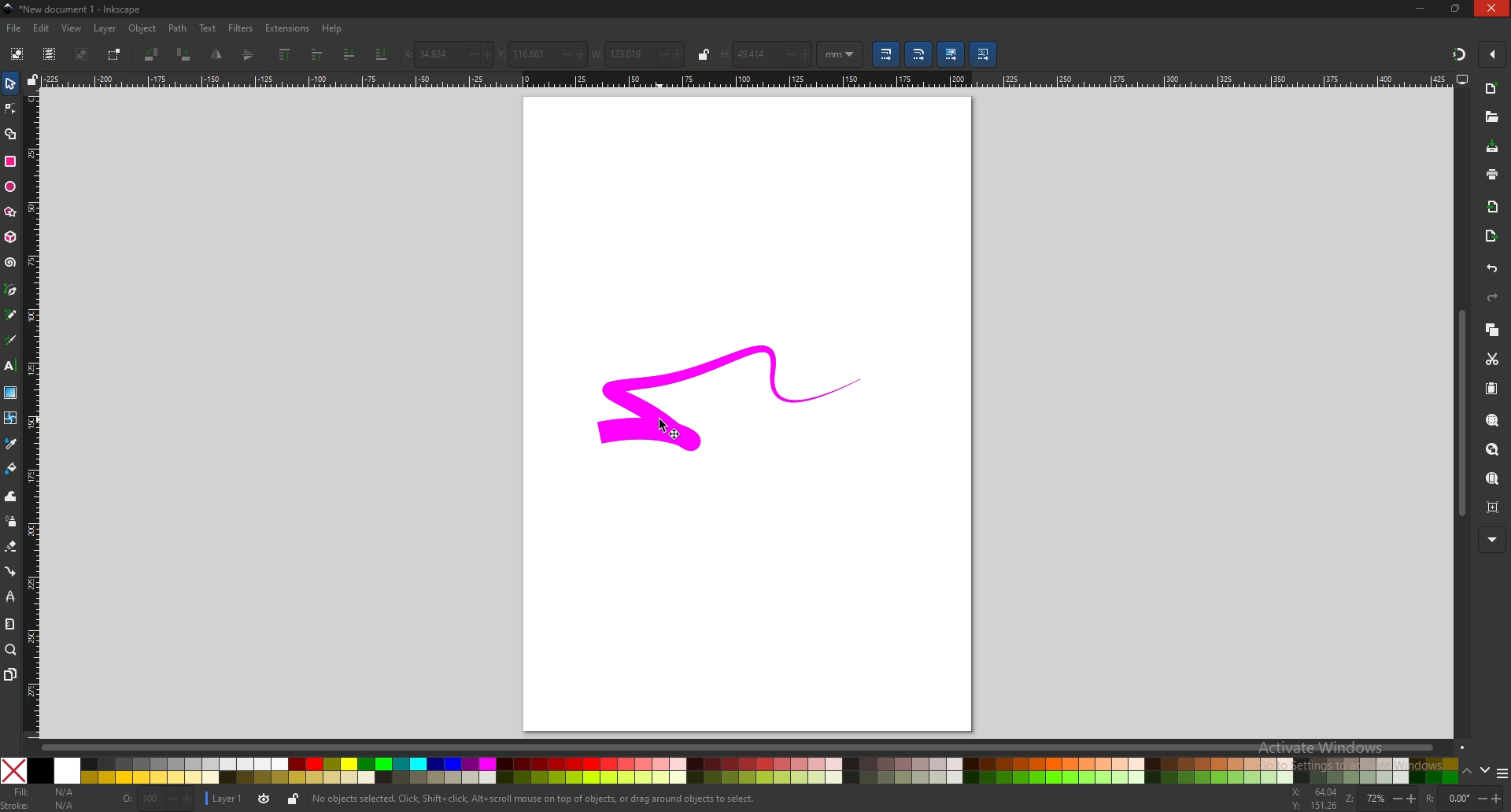  I want to click on flip vertically, so click(216, 55).